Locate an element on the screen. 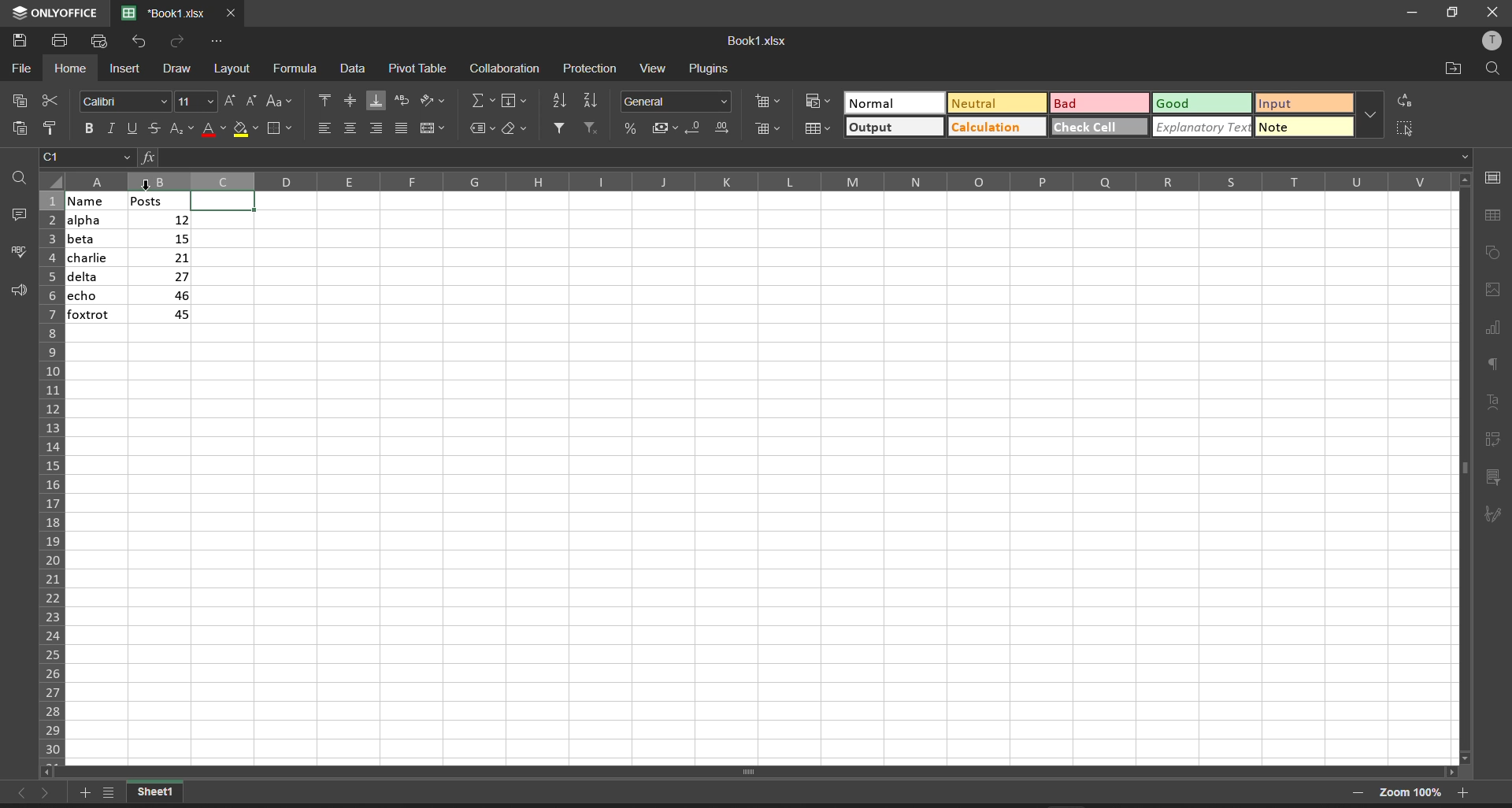 The width and height of the screenshot is (1512, 808). decrement font size is located at coordinates (253, 98).